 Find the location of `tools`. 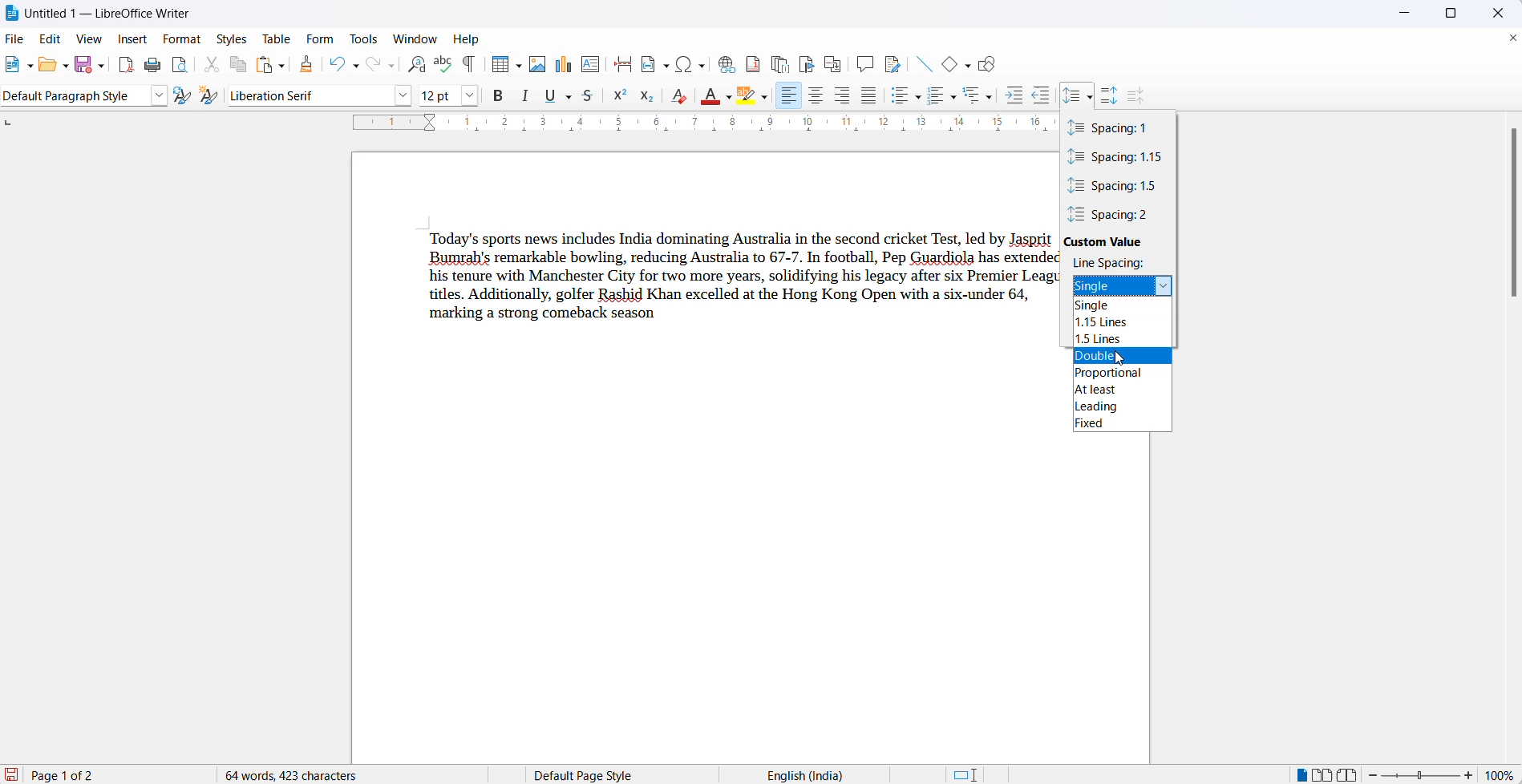

tools is located at coordinates (366, 38).